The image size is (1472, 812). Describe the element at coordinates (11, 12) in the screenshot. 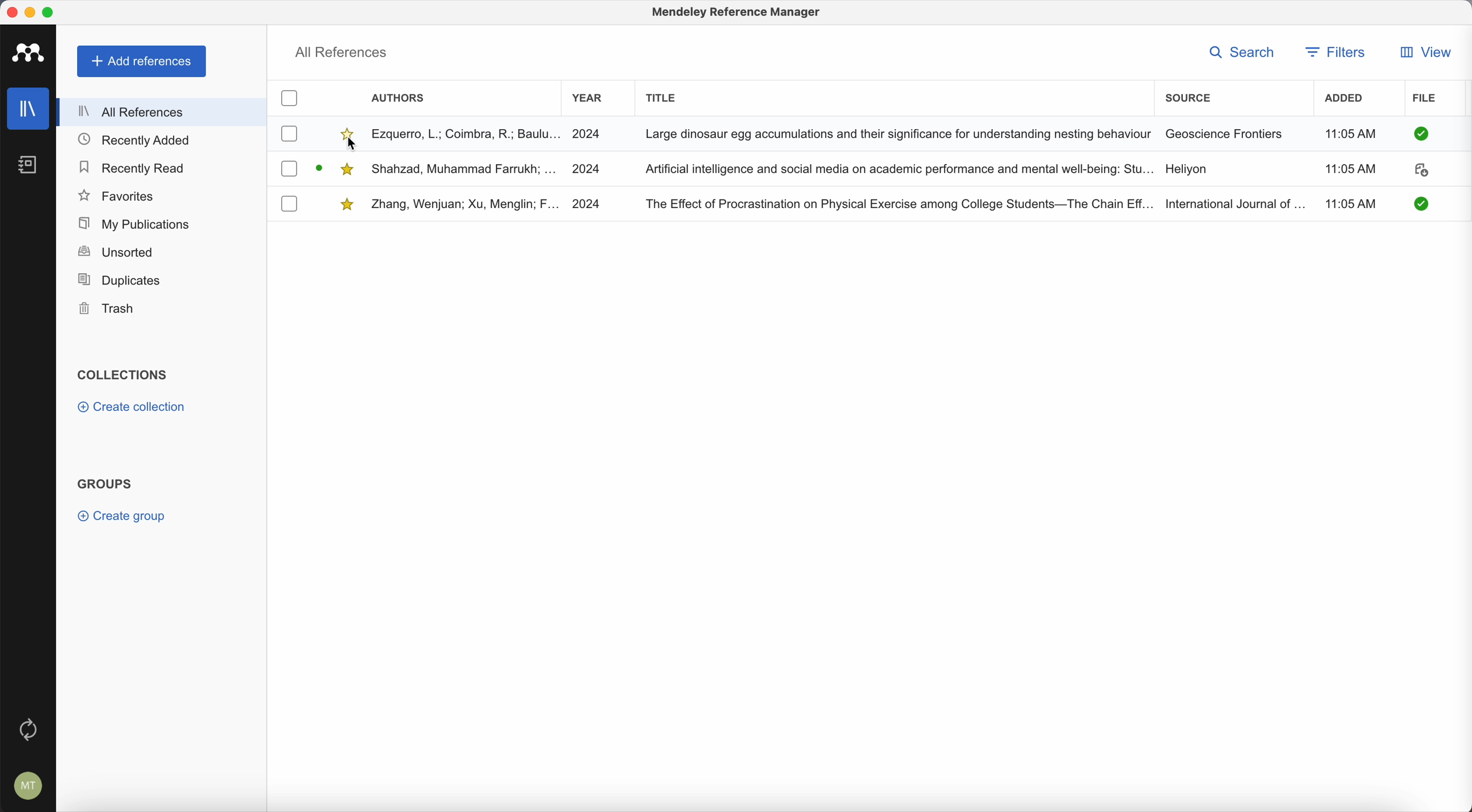

I see `close program` at that location.